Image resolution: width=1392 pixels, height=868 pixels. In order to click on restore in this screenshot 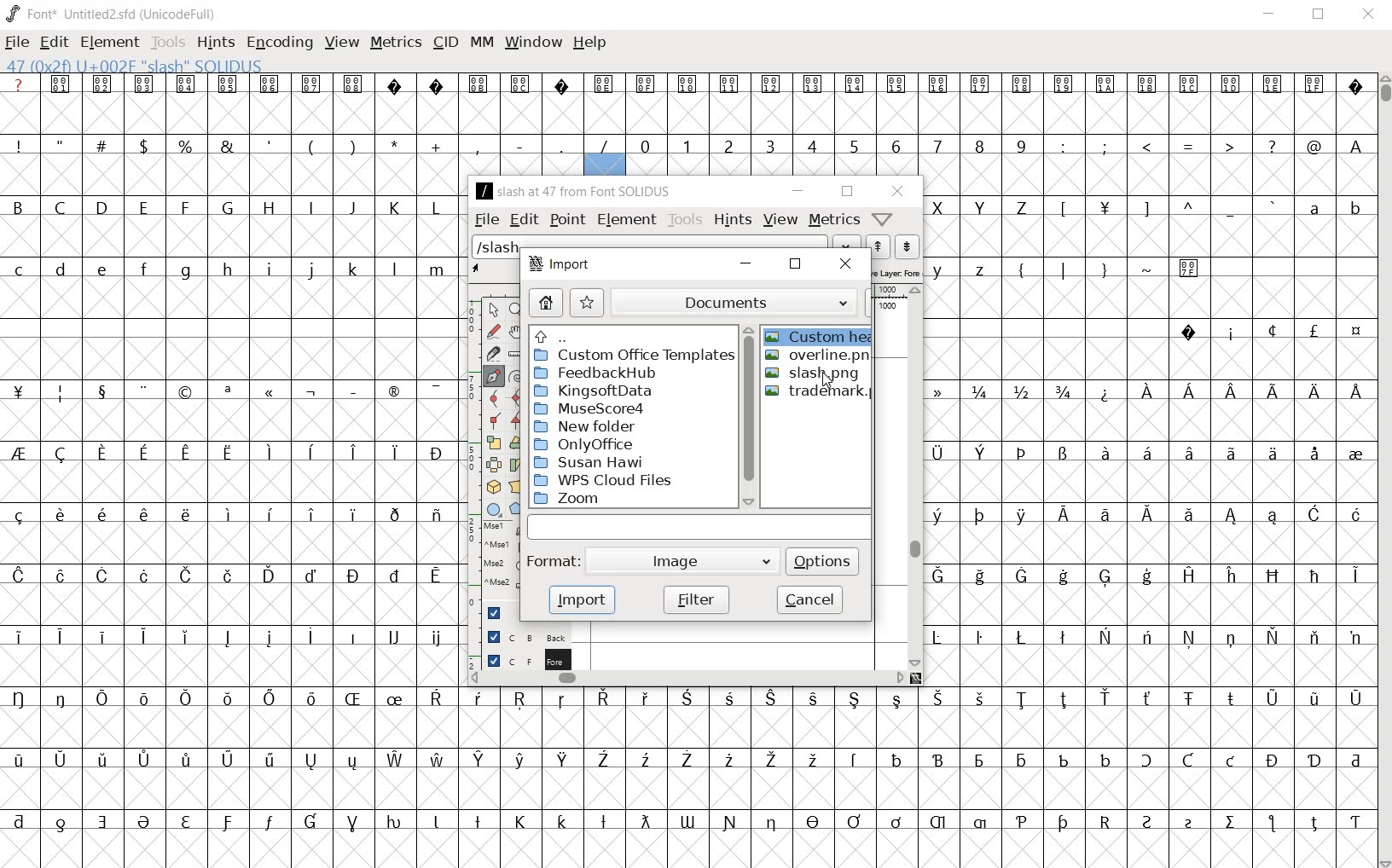, I will do `click(796, 265)`.